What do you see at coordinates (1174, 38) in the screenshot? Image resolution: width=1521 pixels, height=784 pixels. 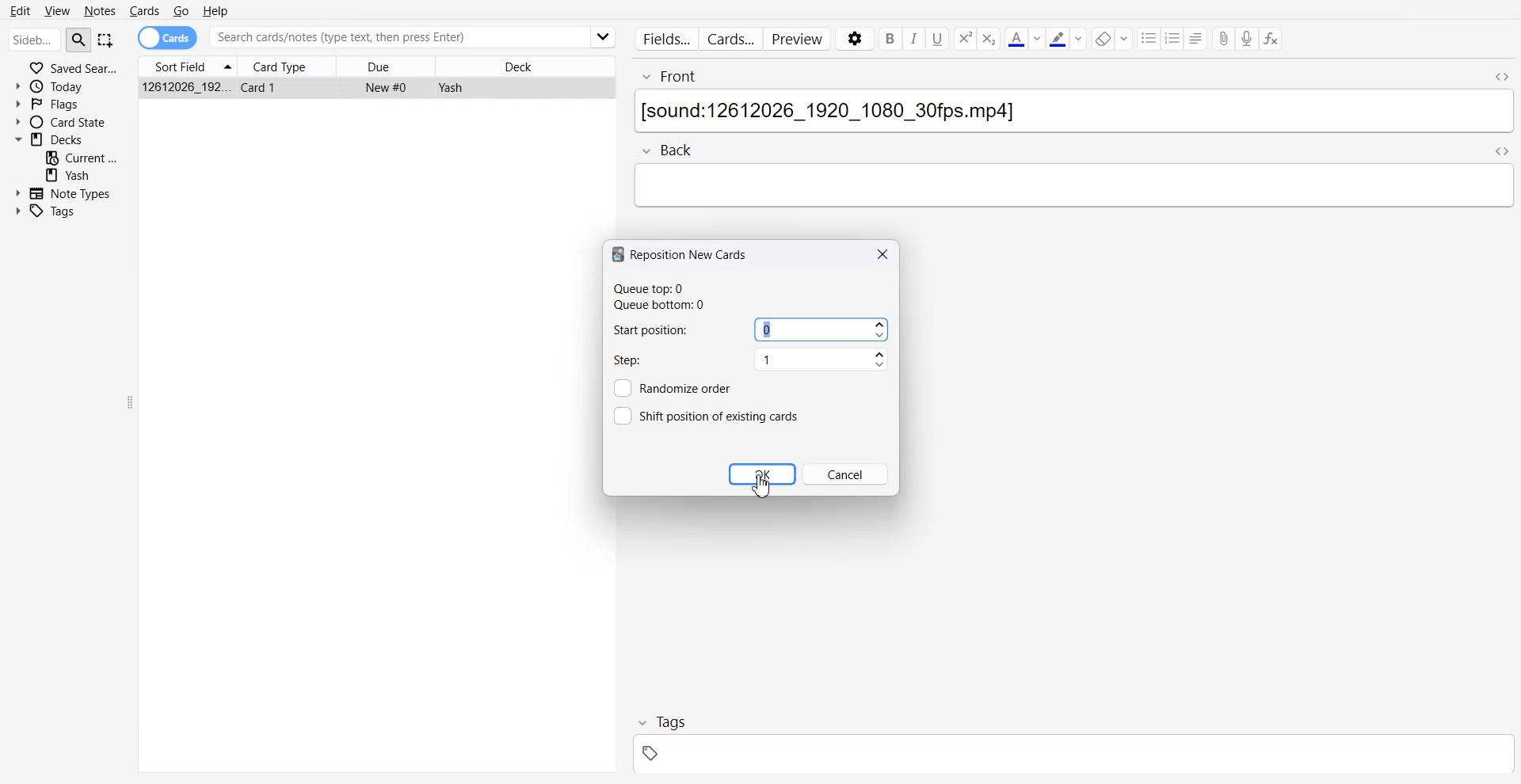 I see `Ordered list` at bounding box center [1174, 38].